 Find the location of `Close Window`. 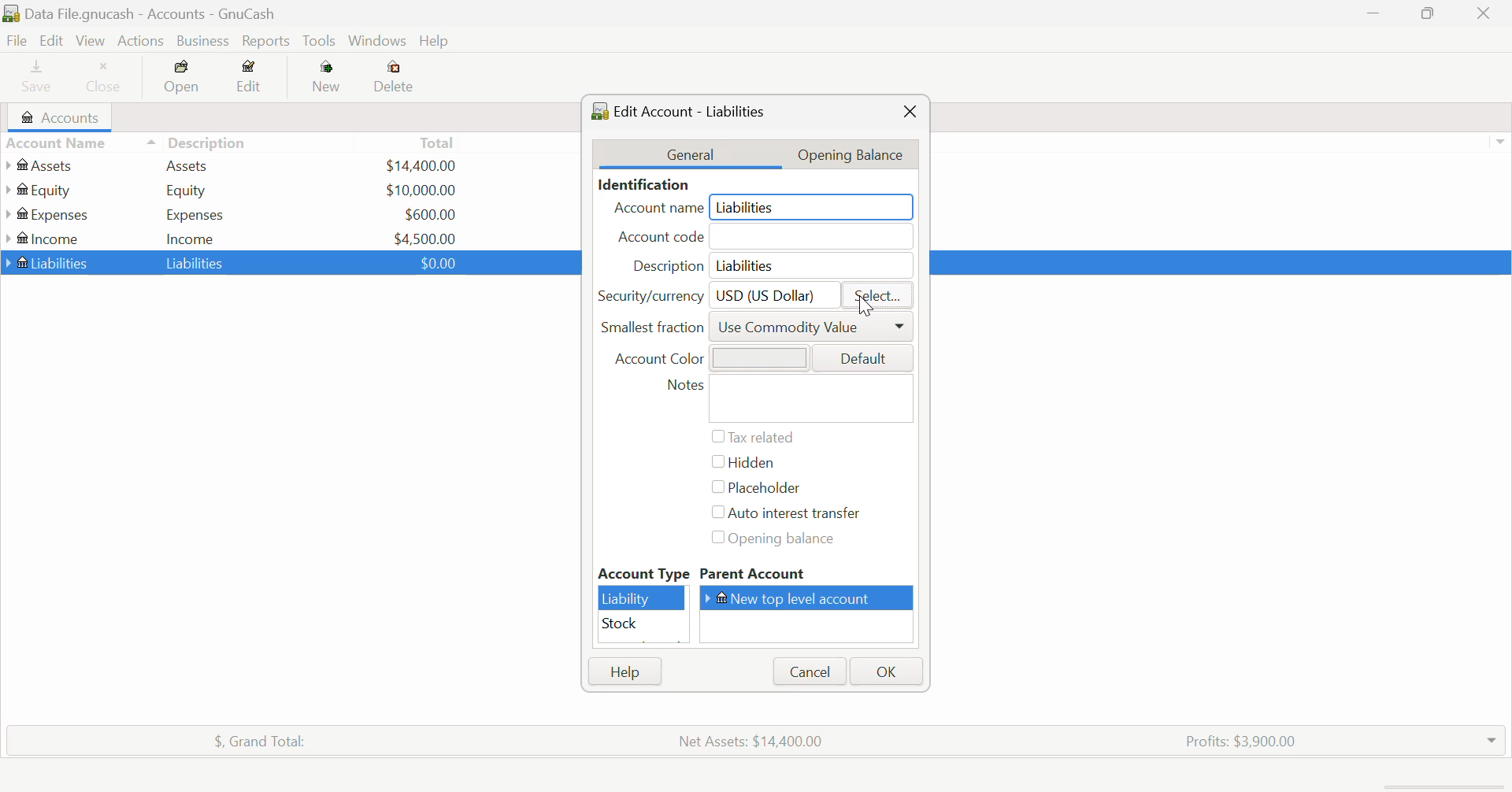

Close Window is located at coordinates (909, 112).